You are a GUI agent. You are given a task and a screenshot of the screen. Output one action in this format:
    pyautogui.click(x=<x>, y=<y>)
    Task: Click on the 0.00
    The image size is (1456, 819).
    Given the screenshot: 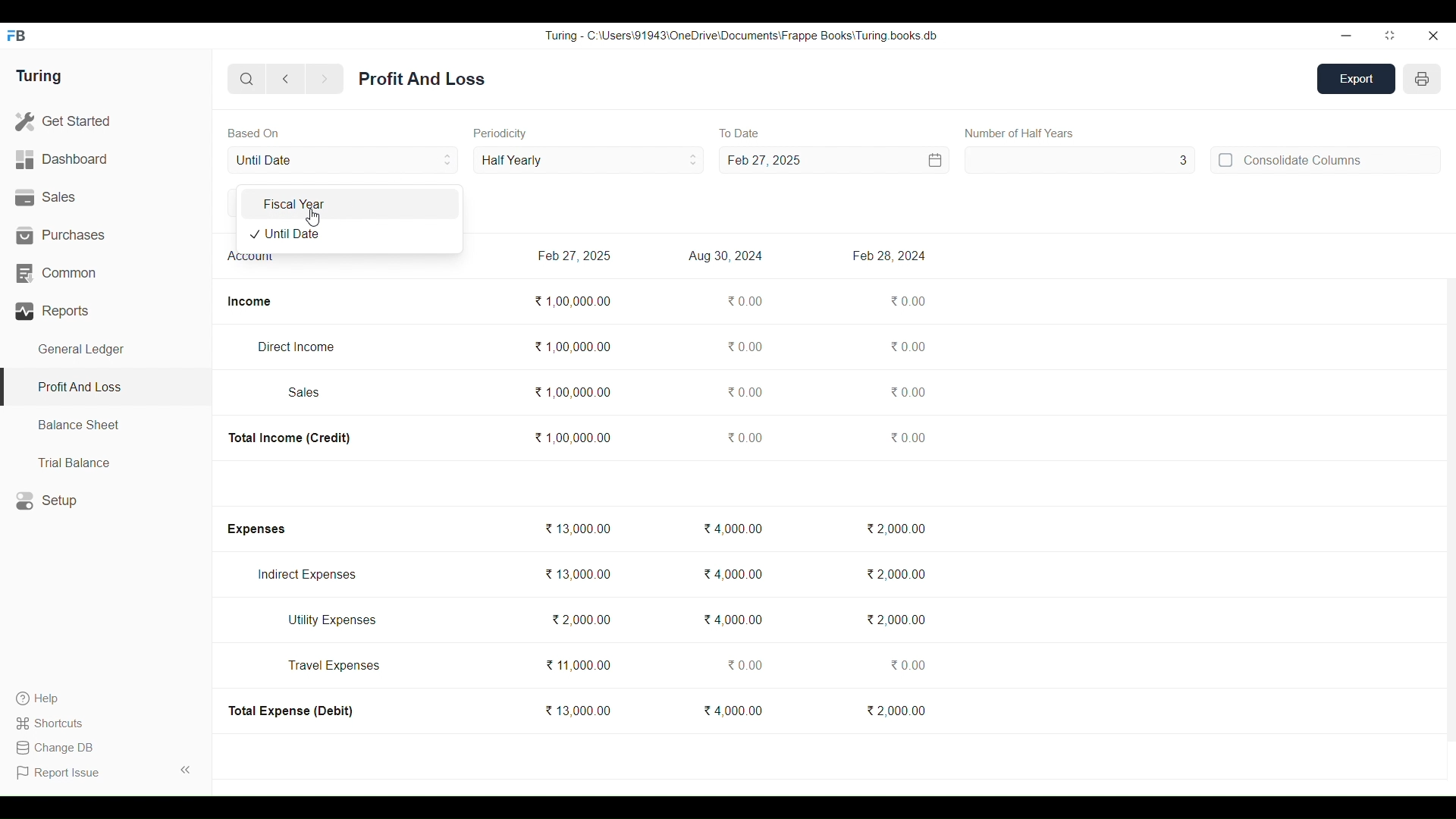 What is the action you would take?
    pyautogui.click(x=742, y=346)
    